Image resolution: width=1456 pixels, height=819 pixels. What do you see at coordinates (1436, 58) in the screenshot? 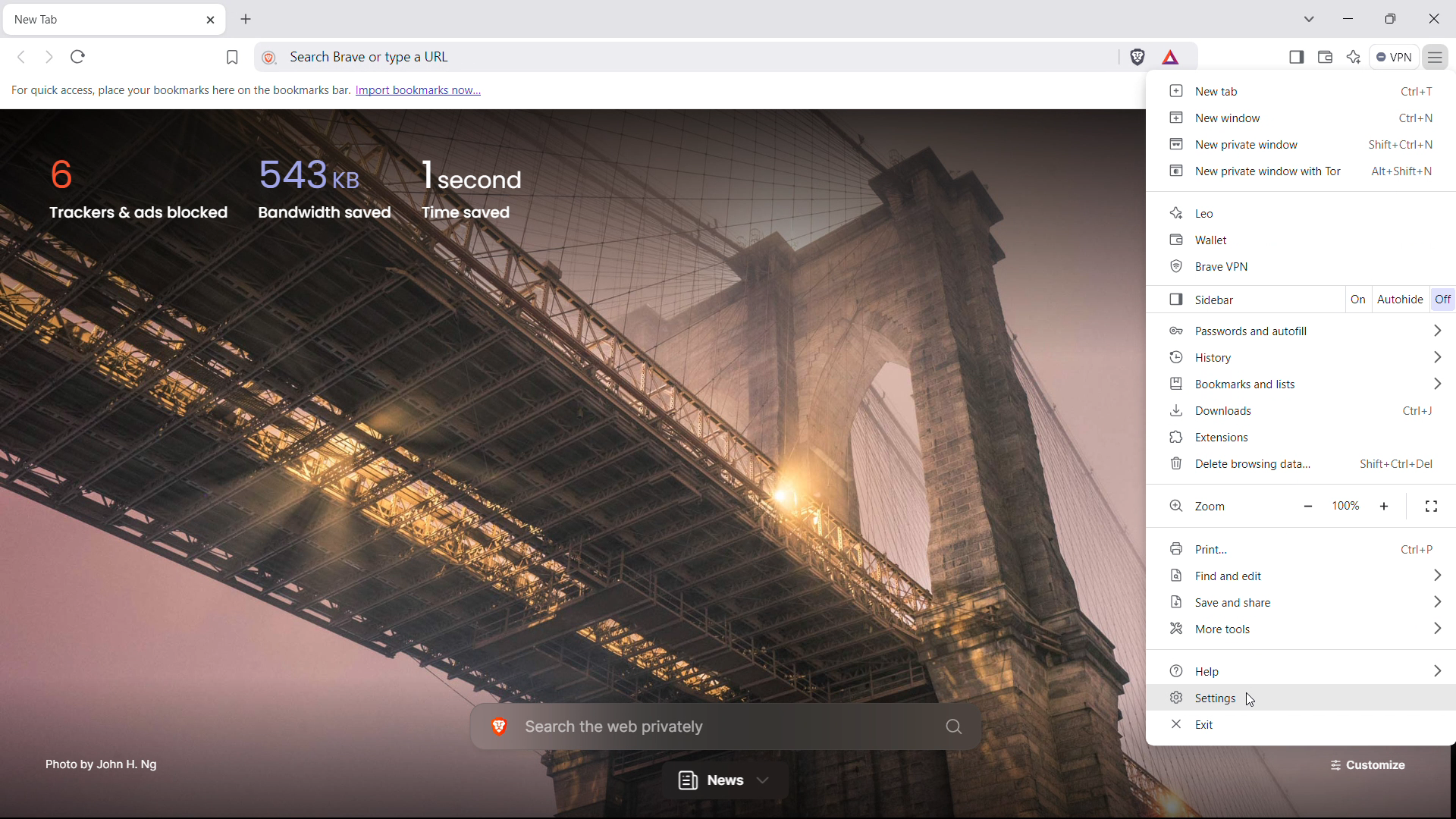
I see `customize and control` at bounding box center [1436, 58].